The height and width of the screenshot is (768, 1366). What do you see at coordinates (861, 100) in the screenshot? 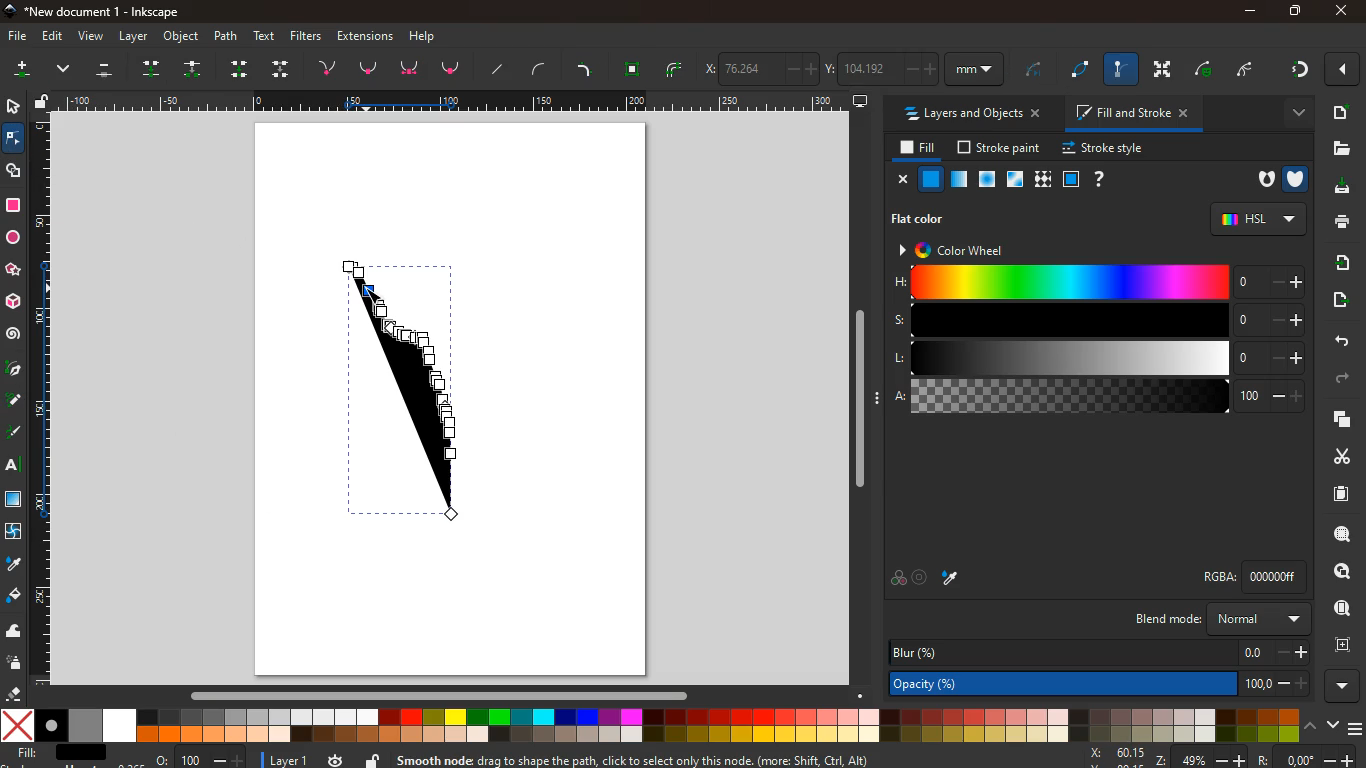
I see `screen` at bounding box center [861, 100].